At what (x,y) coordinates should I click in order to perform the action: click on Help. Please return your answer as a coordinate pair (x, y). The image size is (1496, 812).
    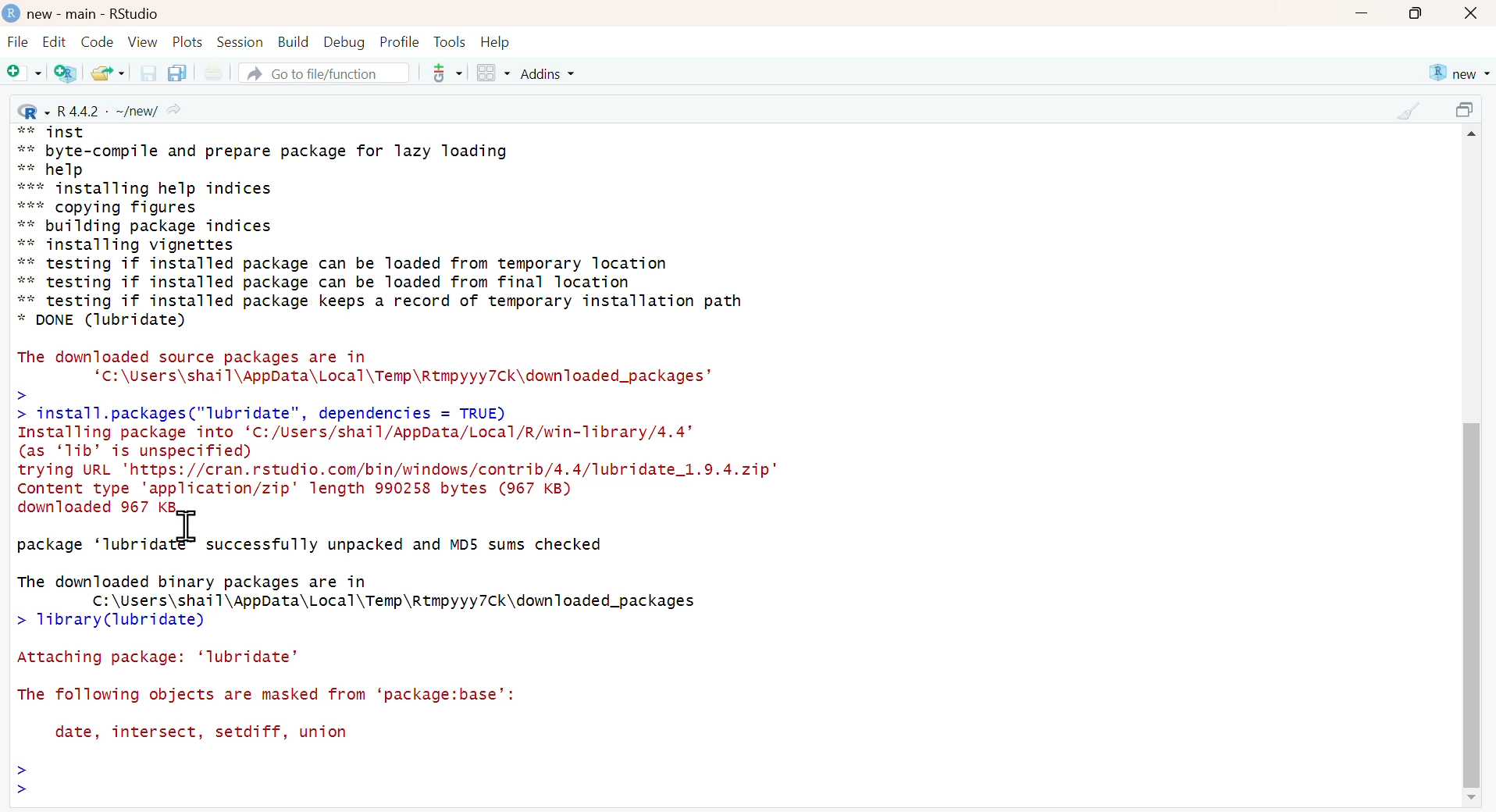
    Looking at the image, I should click on (496, 42).